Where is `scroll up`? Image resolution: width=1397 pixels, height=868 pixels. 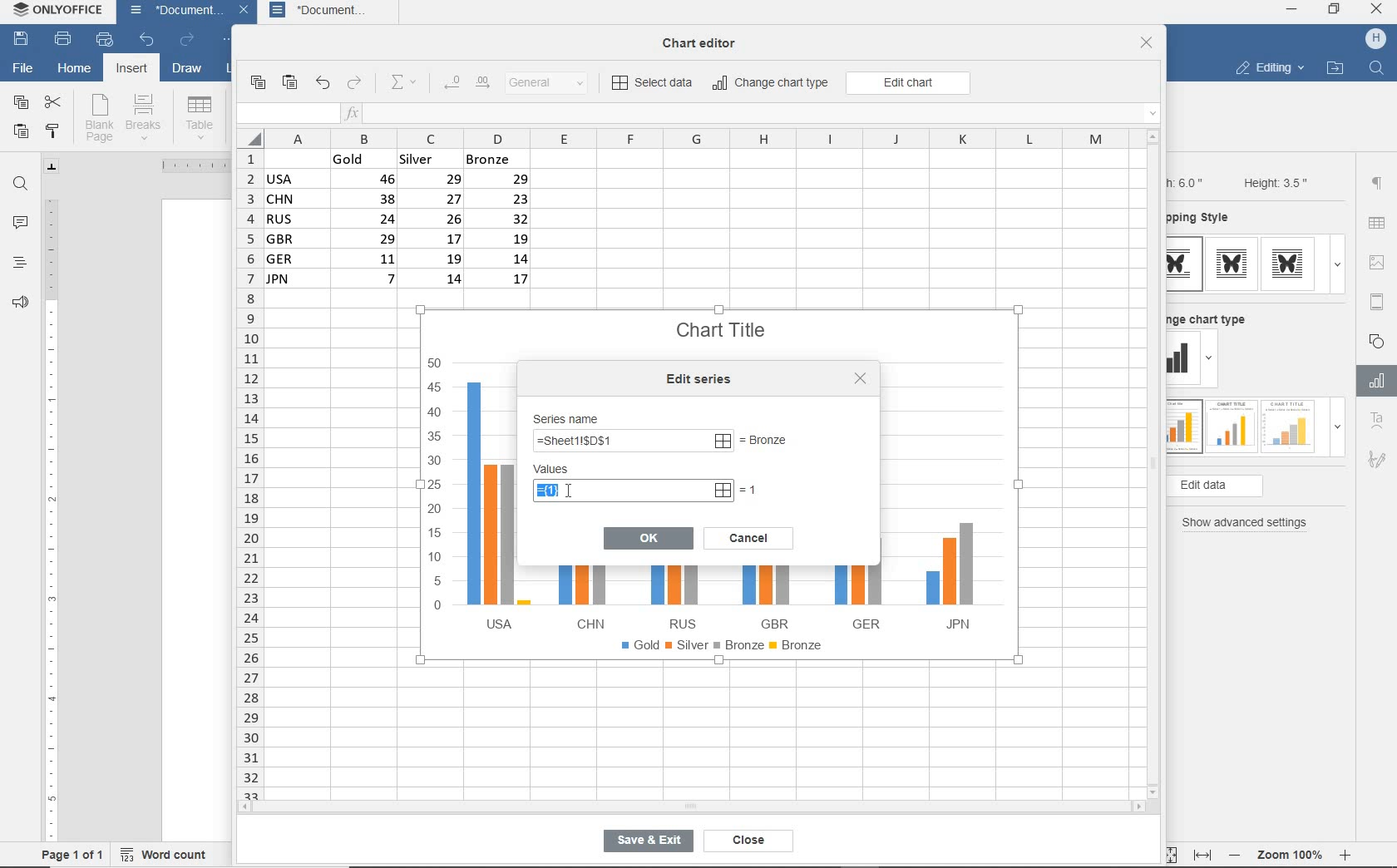 scroll up is located at coordinates (1153, 136).